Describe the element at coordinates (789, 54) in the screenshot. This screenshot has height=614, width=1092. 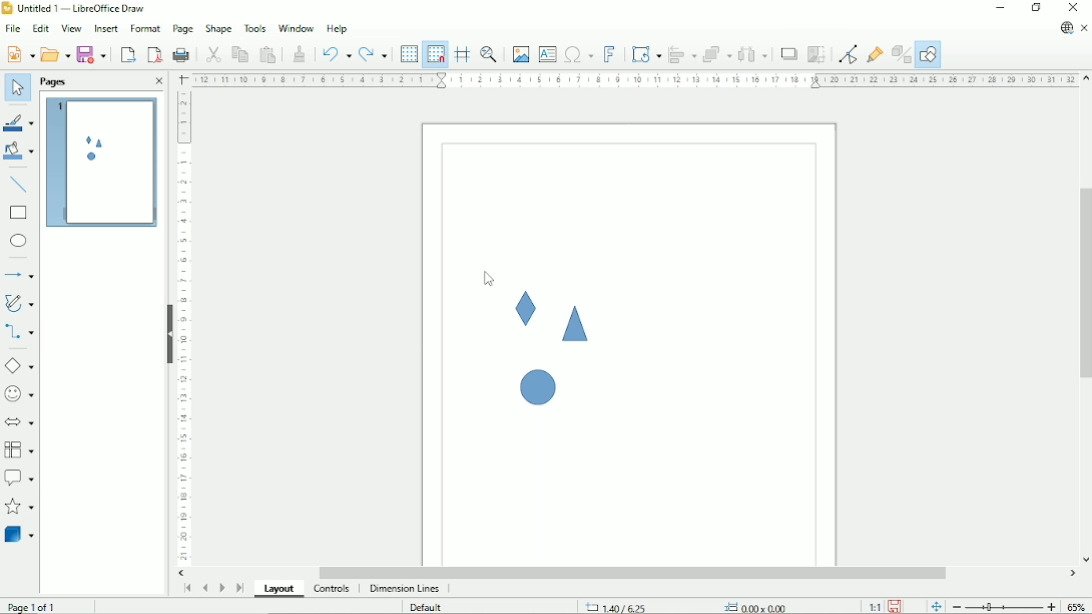
I see `Shadow` at that location.